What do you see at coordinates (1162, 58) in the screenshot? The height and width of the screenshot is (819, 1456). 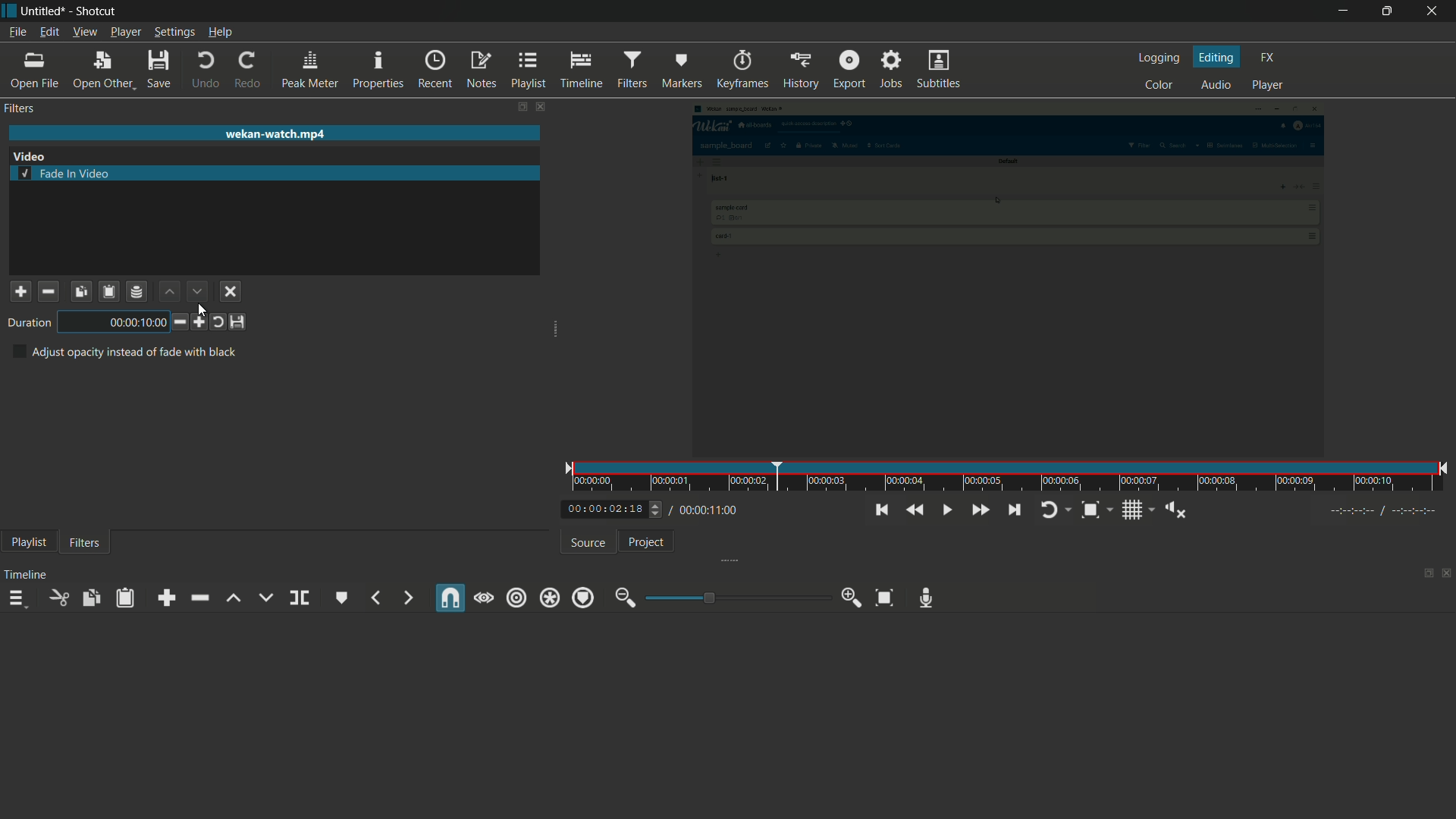 I see `logging` at bounding box center [1162, 58].